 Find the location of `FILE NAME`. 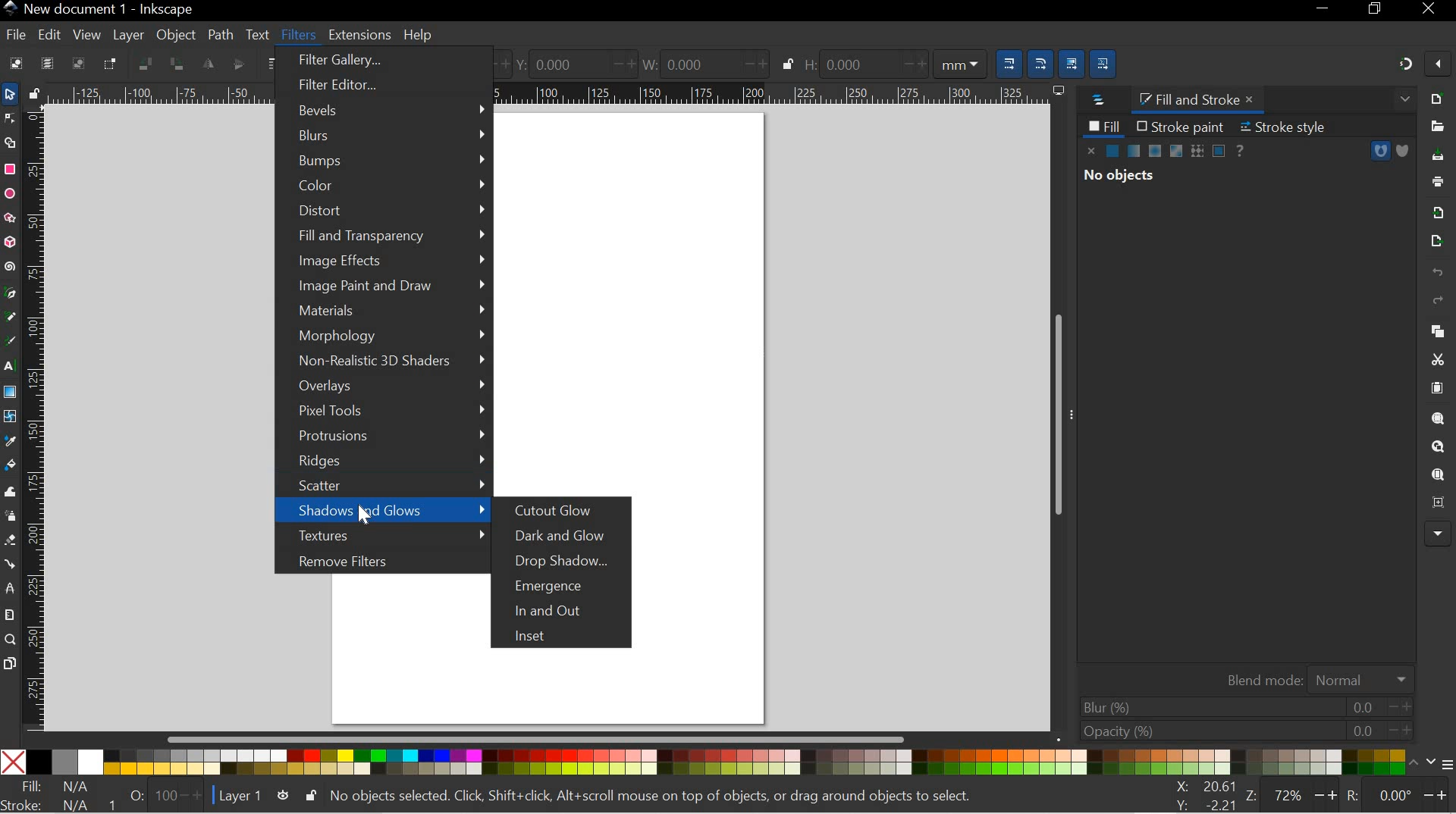

FILE NAME is located at coordinates (99, 9).